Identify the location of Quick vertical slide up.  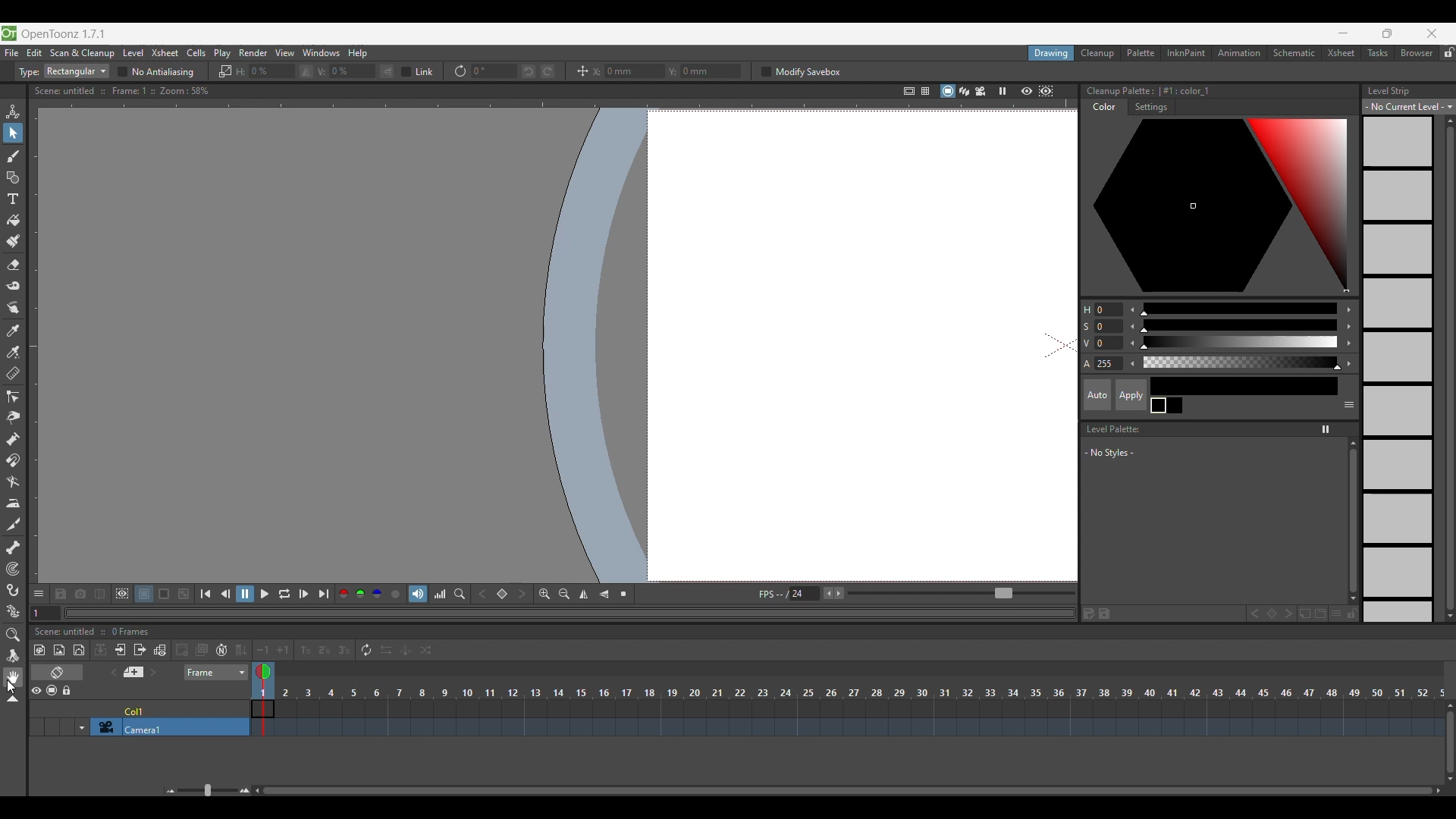
(1450, 120).